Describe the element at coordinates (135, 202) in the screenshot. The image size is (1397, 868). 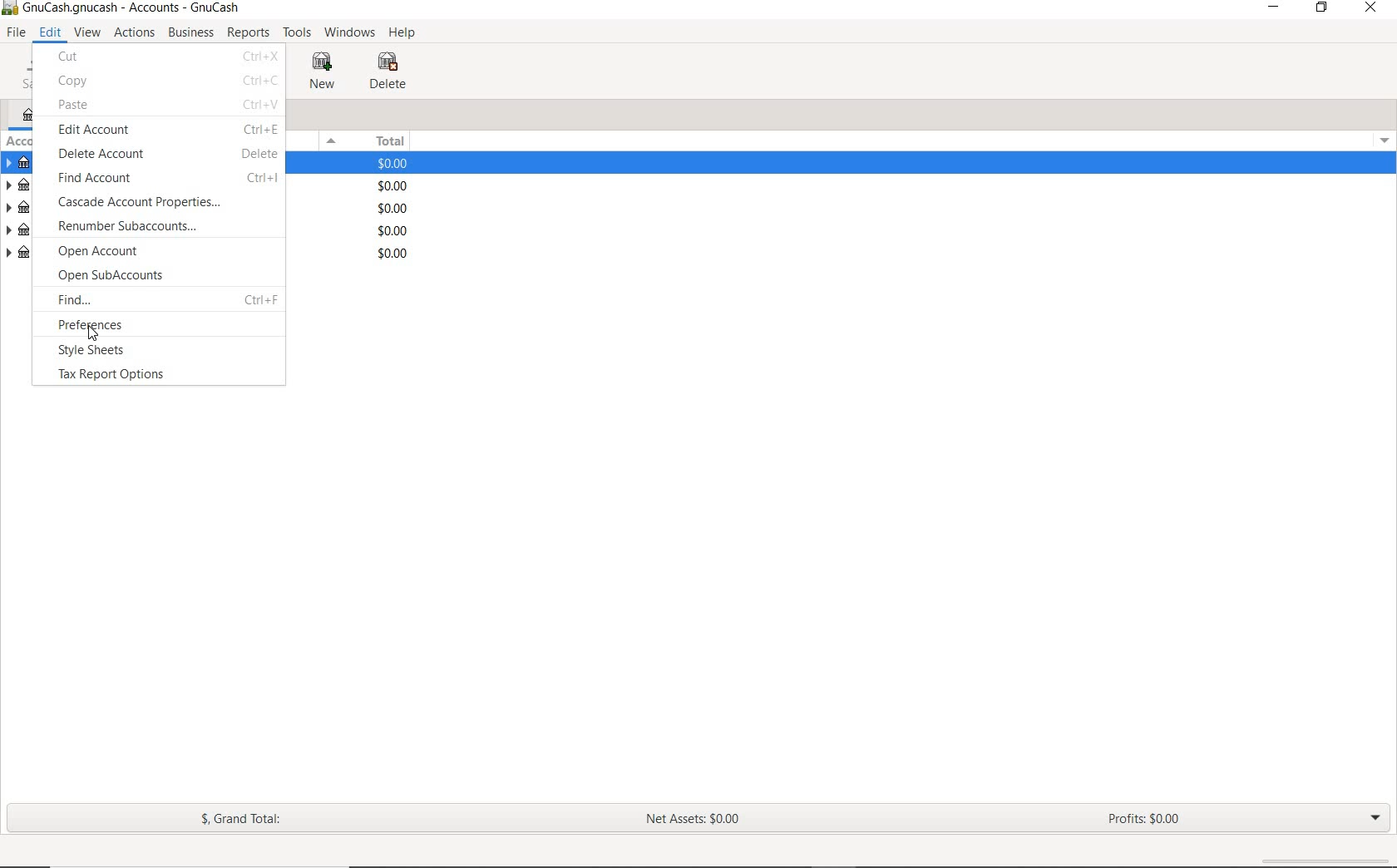
I see `CASCADE ACCOUNT PROPERTIES` at that location.